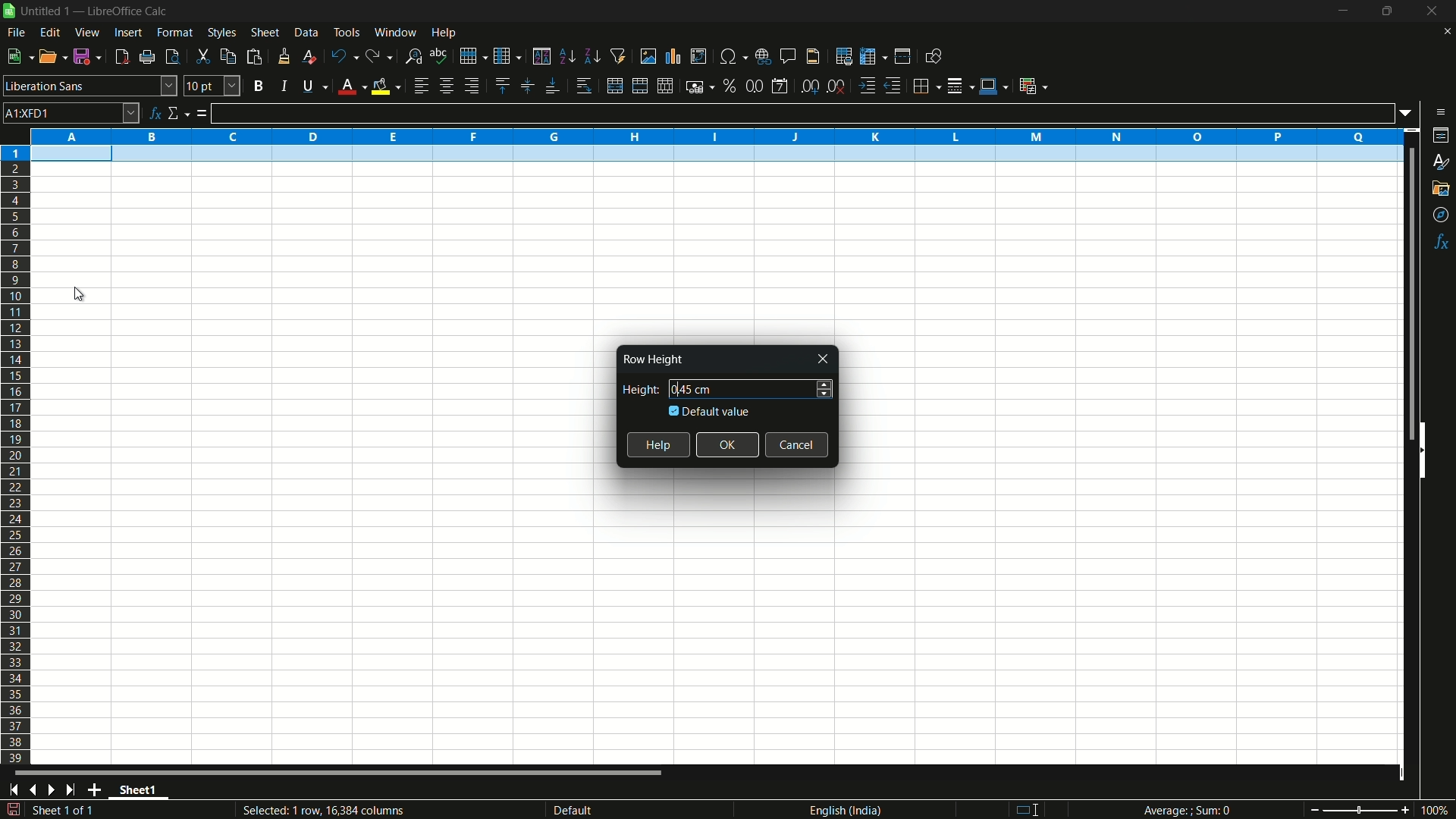 This screenshot has width=1456, height=819. What do you see at coordinates (414, 55) in the screenshot?
I see `find and replace` at bounding box center [414, 55].